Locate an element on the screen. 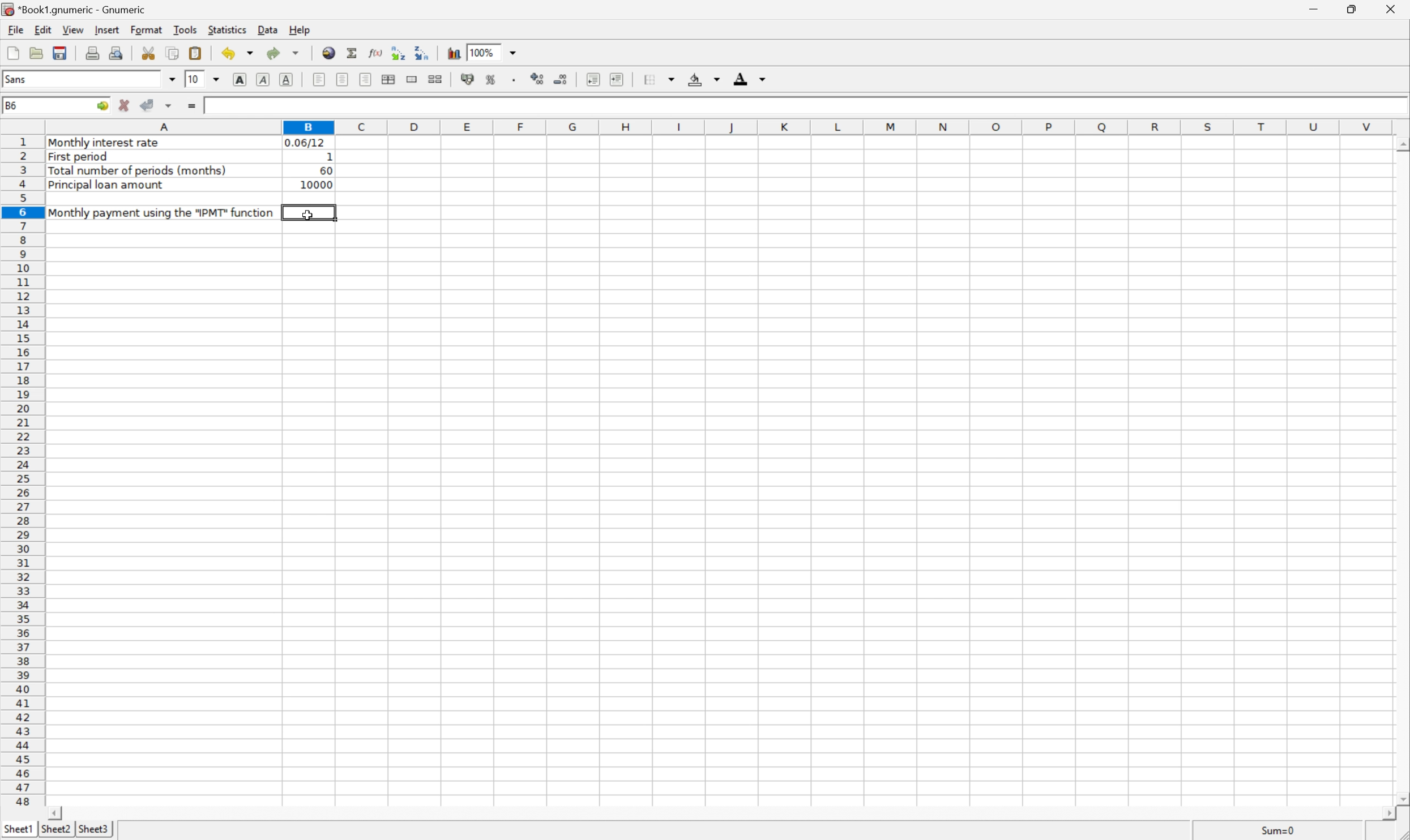 The image size is (1410, 840). Save current workbook is located at coordinates (65, 52).